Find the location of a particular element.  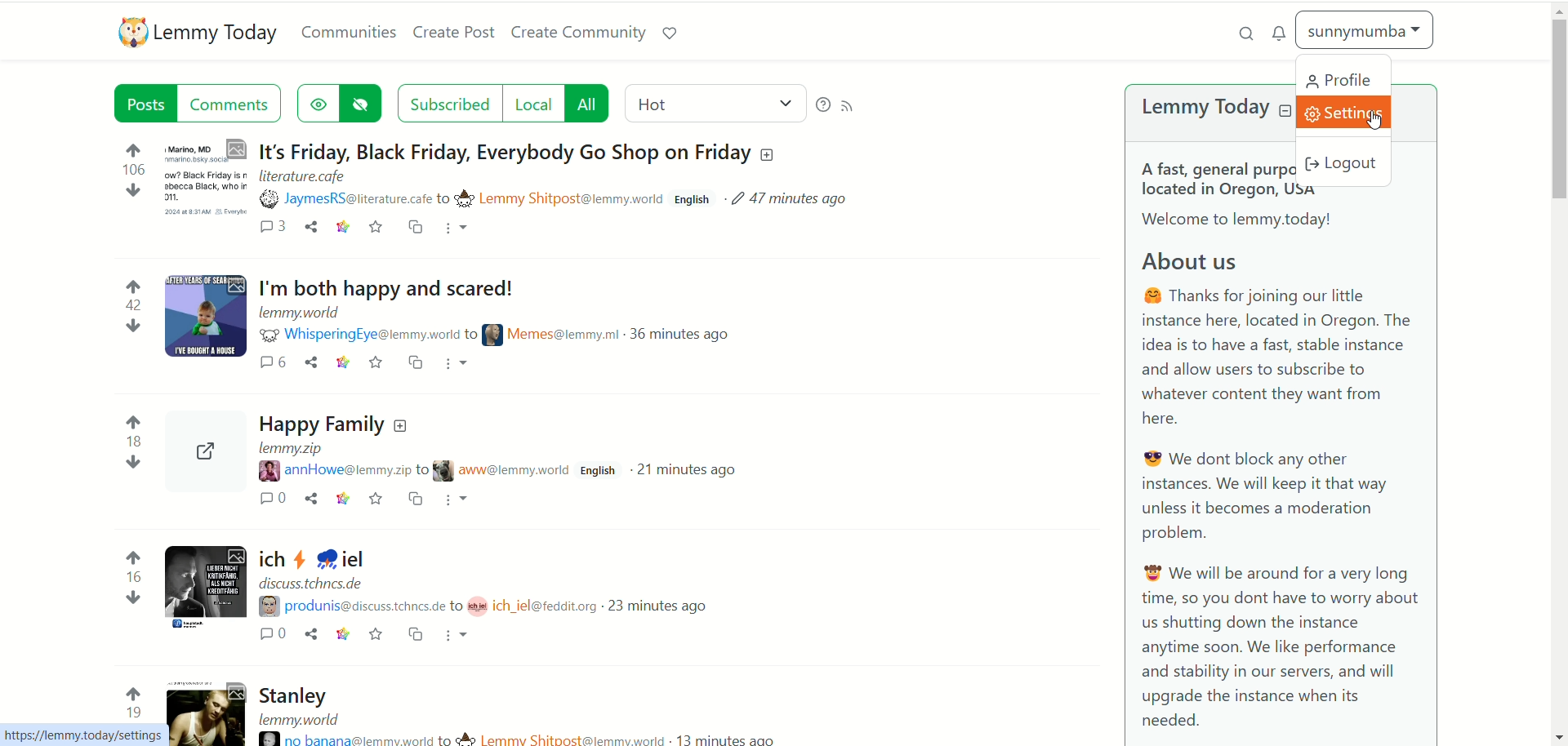

support lemmy is located at coordinates (675, 34).